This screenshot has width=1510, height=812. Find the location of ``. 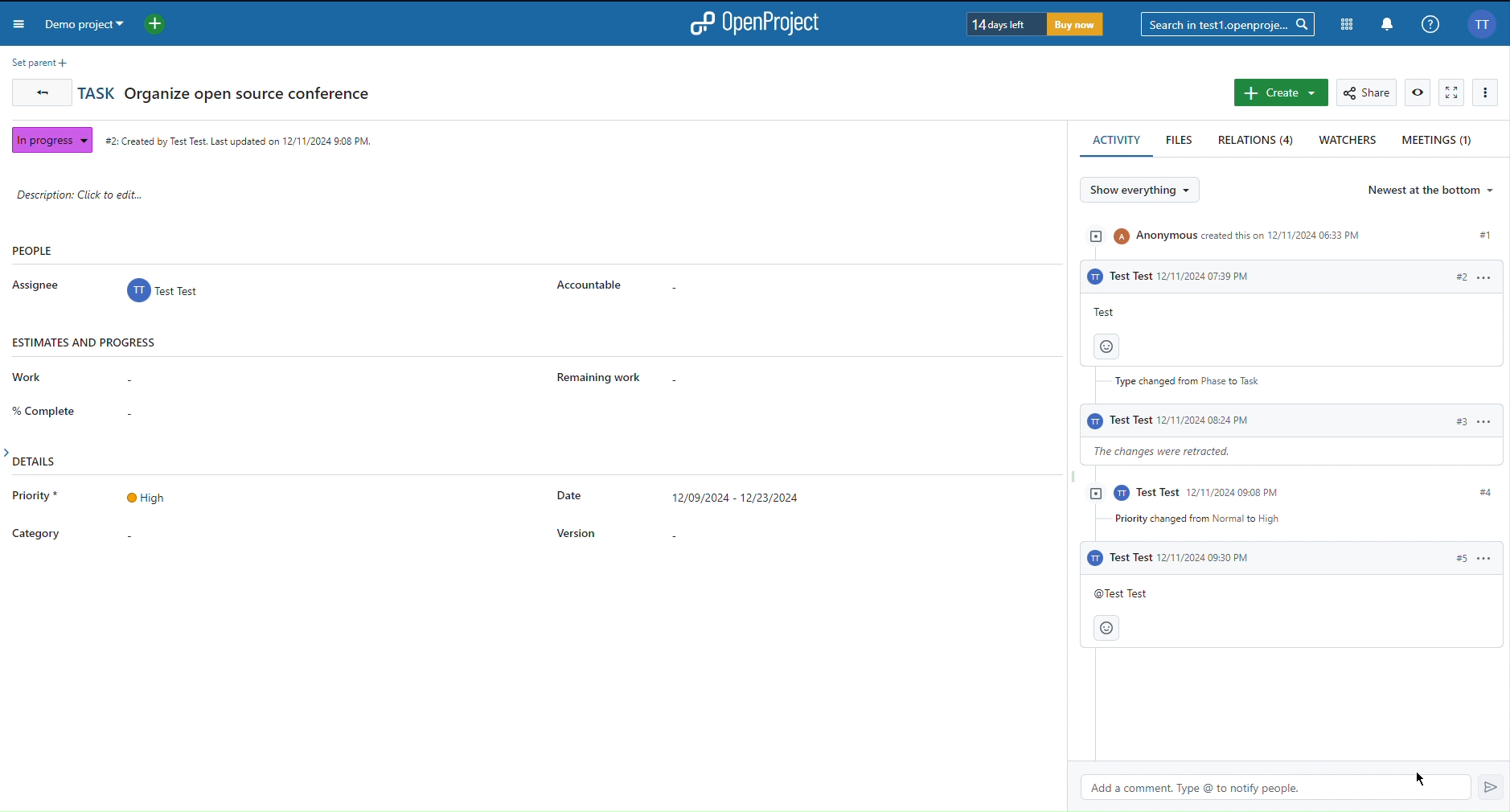

 is located at coordinates (1229, 788).